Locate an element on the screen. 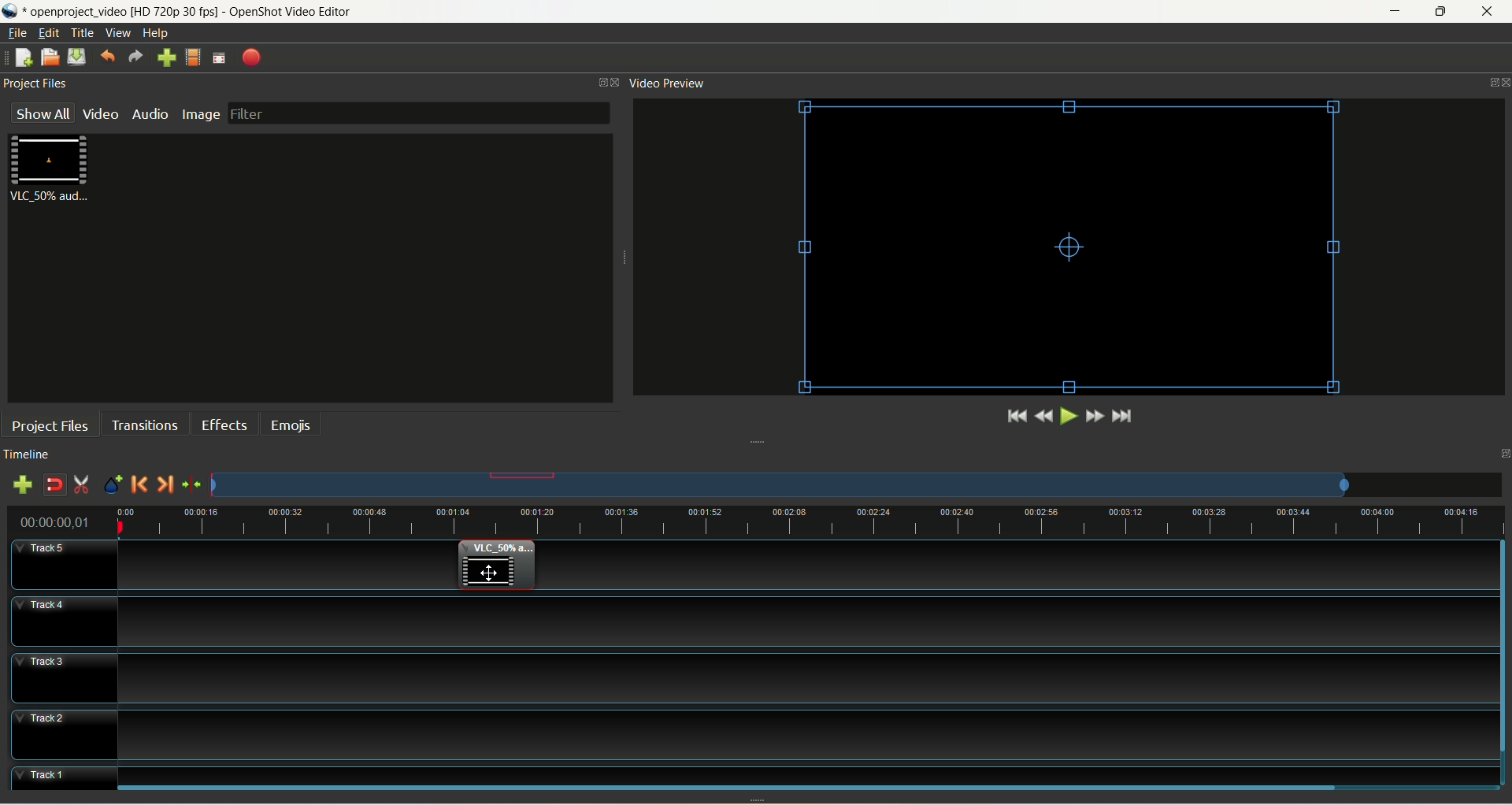  view is located at coordinates (119, 32).